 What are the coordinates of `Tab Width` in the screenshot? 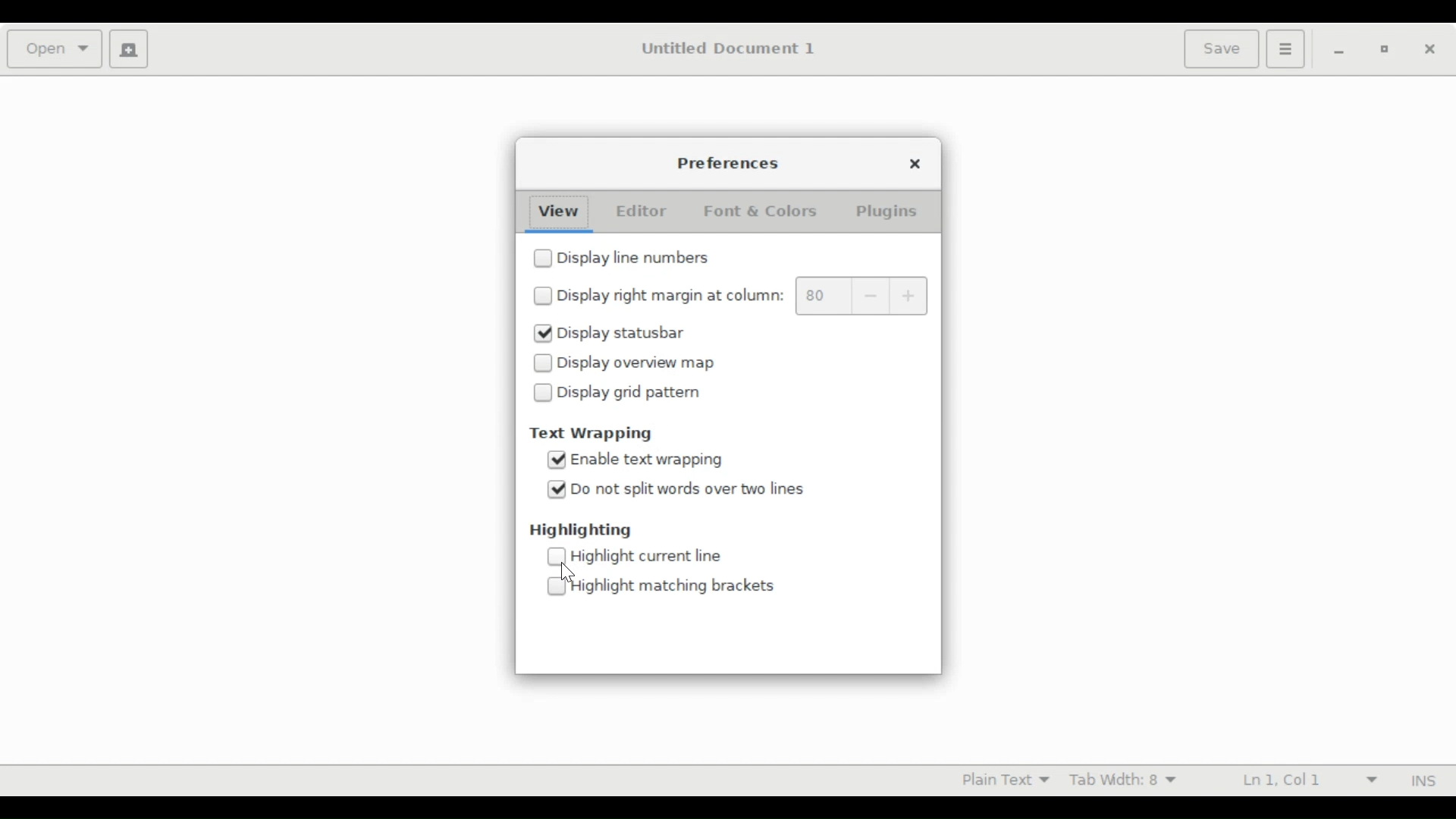 It's located at (1121, 780).